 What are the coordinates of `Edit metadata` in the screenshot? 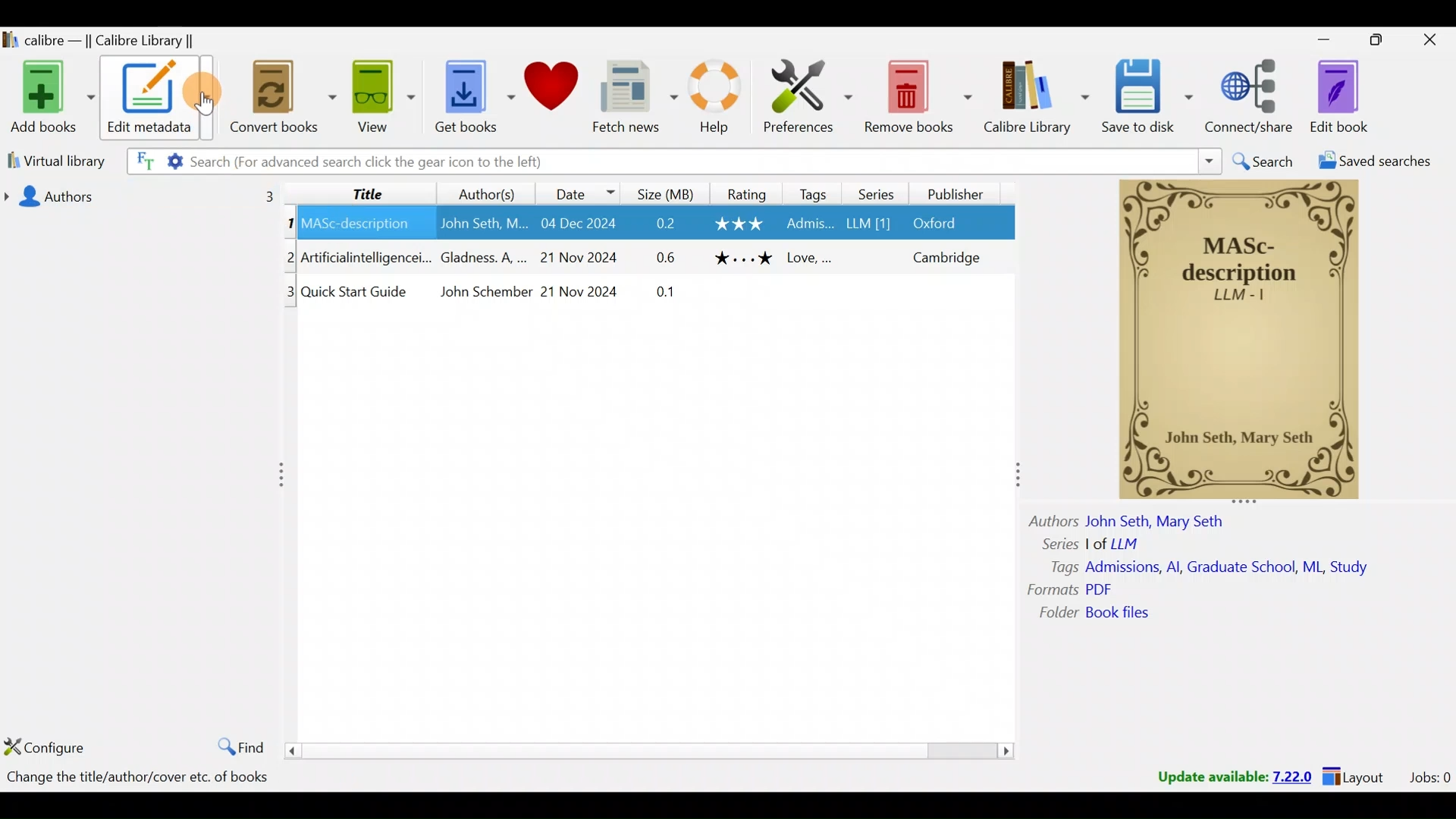 It's located at (162, 99).